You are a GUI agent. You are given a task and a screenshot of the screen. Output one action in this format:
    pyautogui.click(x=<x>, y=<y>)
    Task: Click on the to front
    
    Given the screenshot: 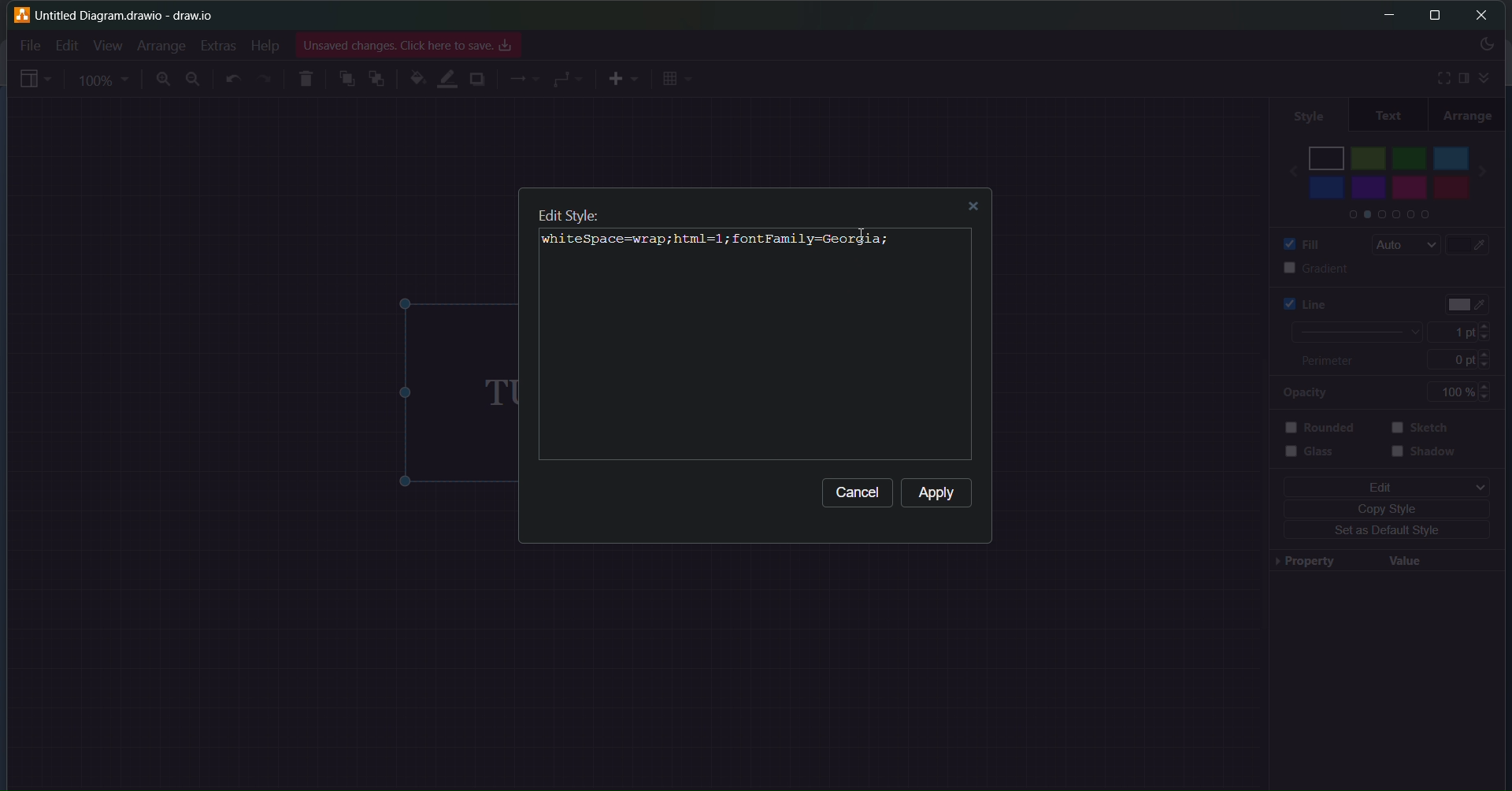 What is the action you would take?
    pyautogui.click(x=346, y=78)
    